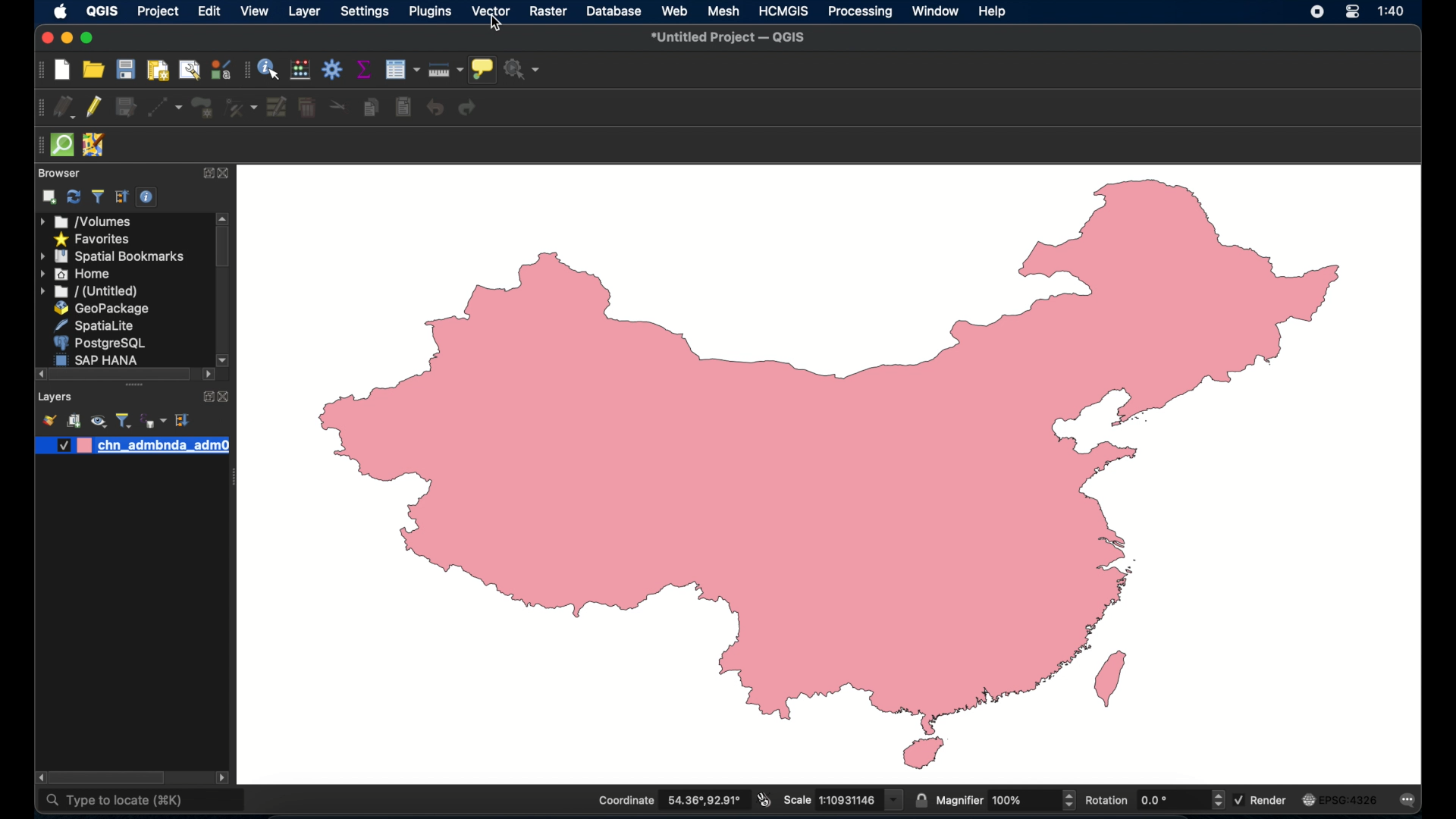 This screenshot has width=1456, height=819. I want to click on database, so click(613, 11).